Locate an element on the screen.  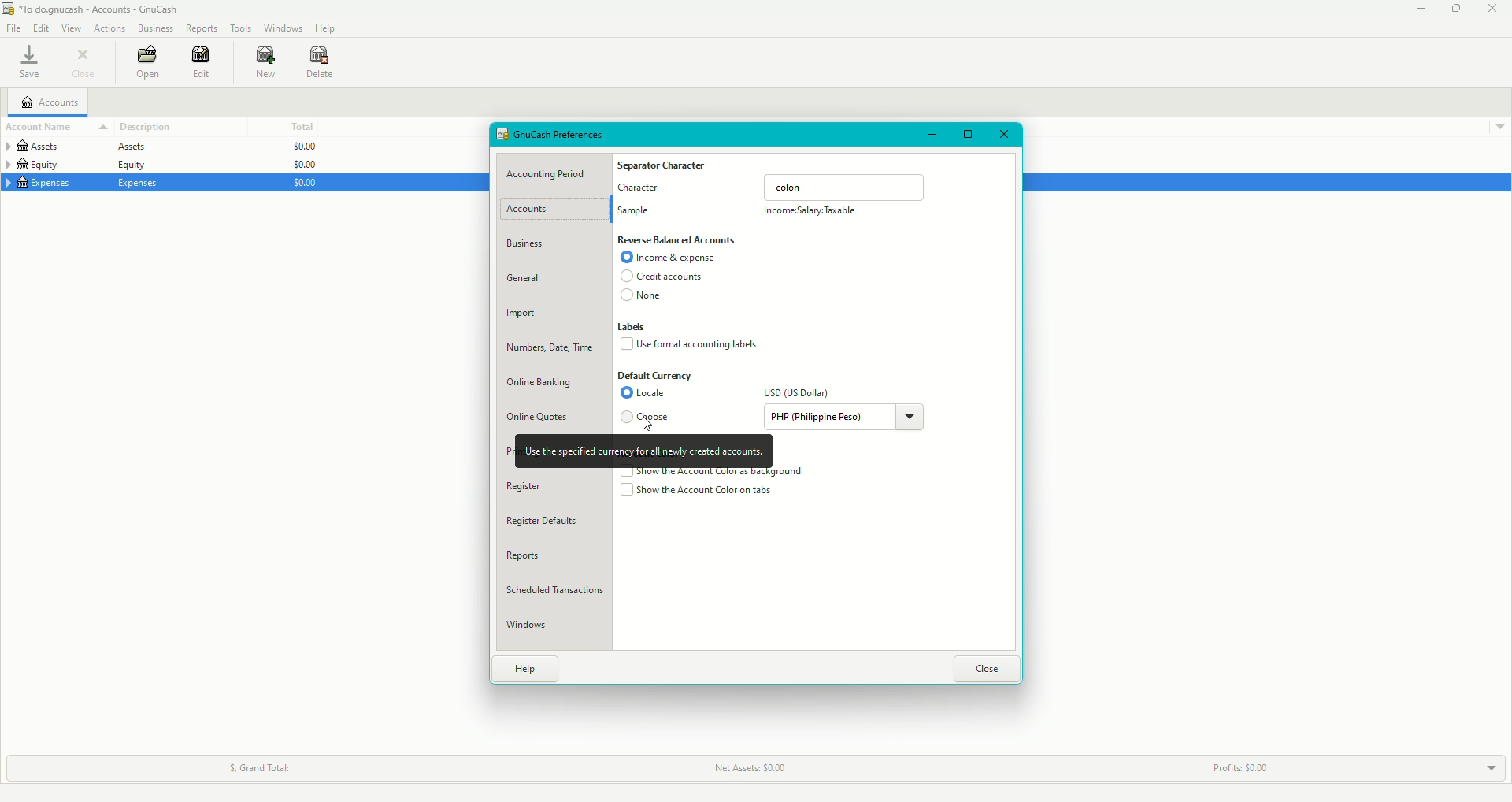
Account Name is located at coordinates (56, 128).